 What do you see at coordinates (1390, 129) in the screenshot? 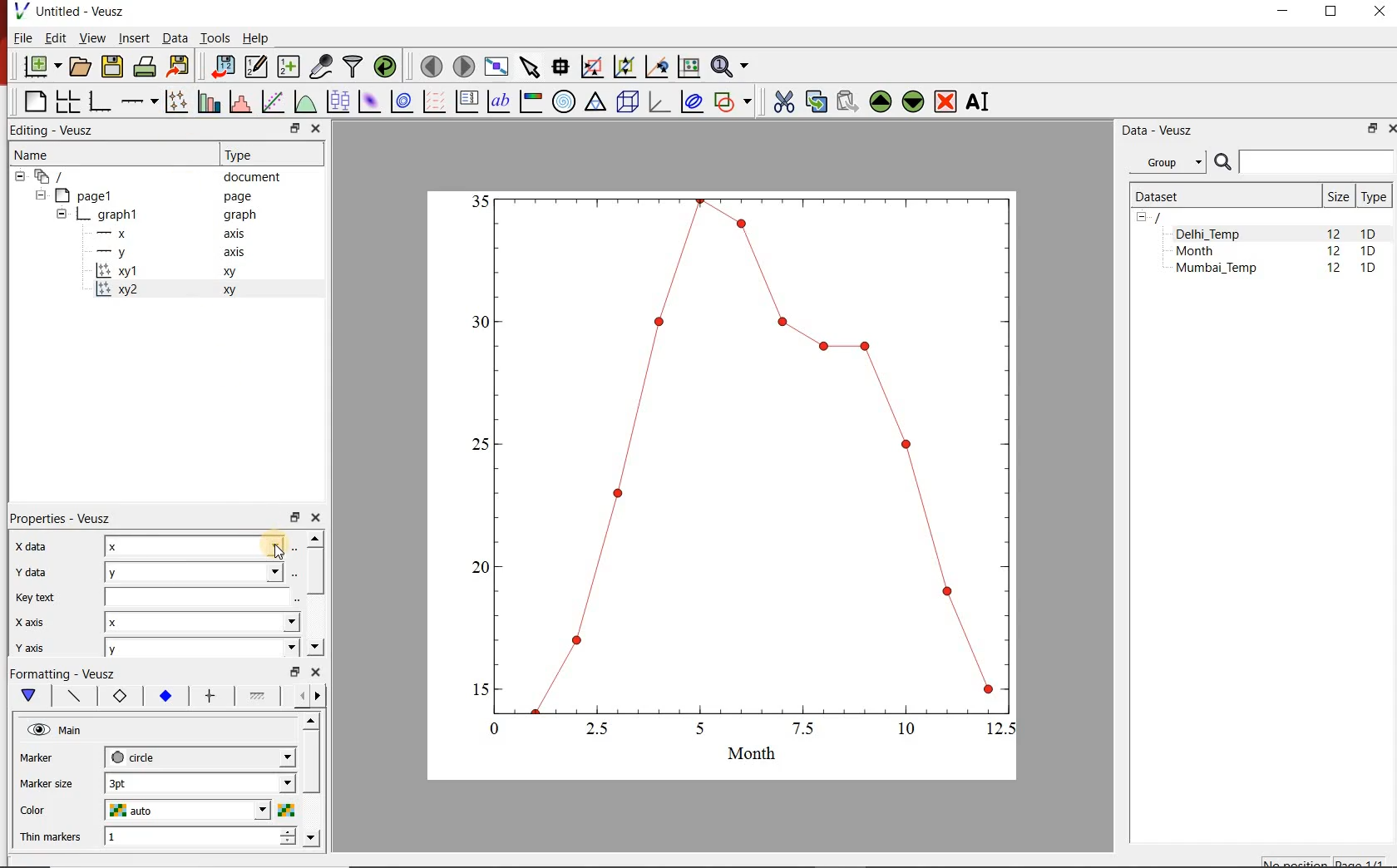
I see `CLOSE` at bounding box center [1390, 129].